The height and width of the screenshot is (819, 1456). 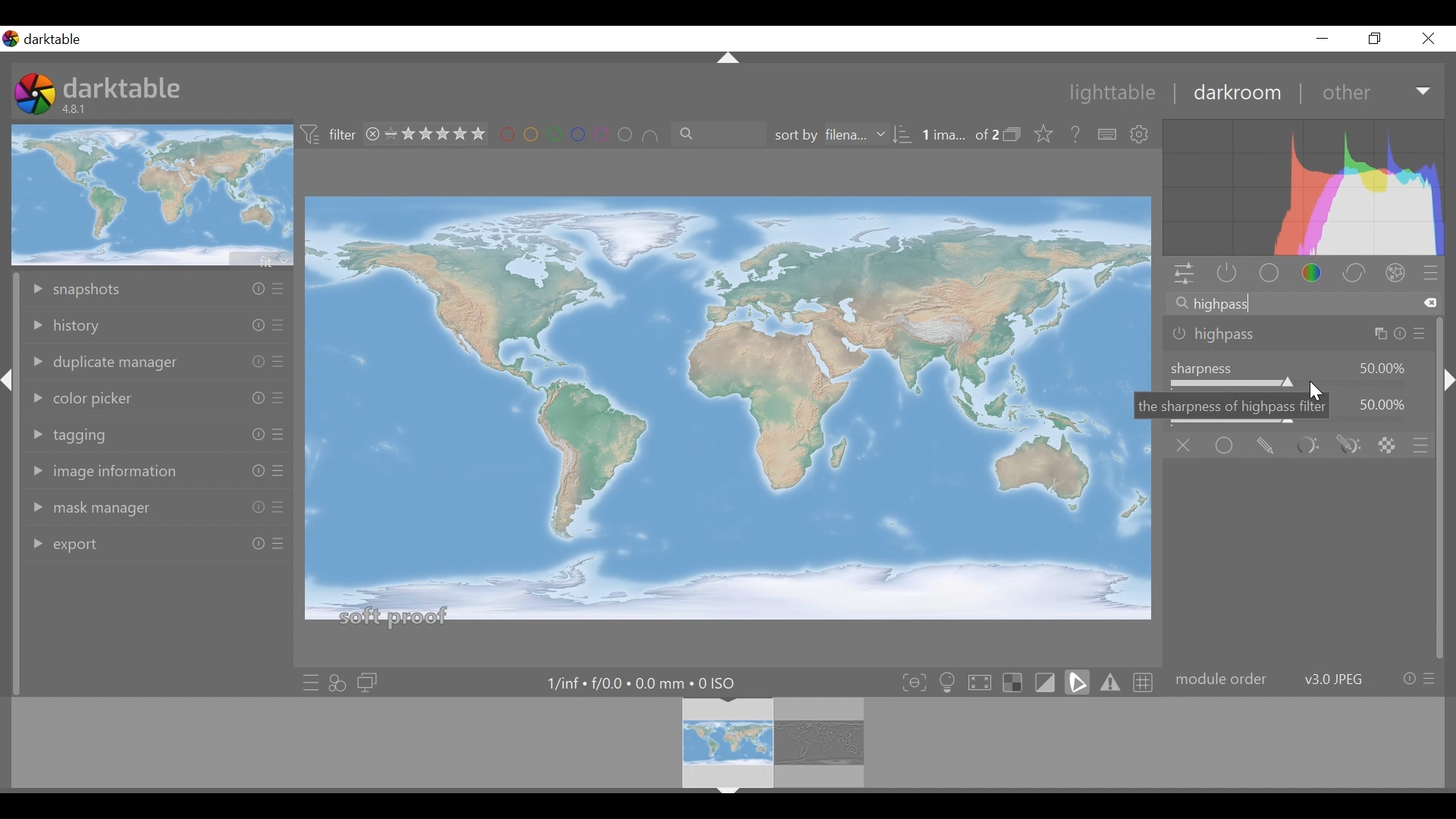 I want to click on soft proof, so click(x=395, y=616).